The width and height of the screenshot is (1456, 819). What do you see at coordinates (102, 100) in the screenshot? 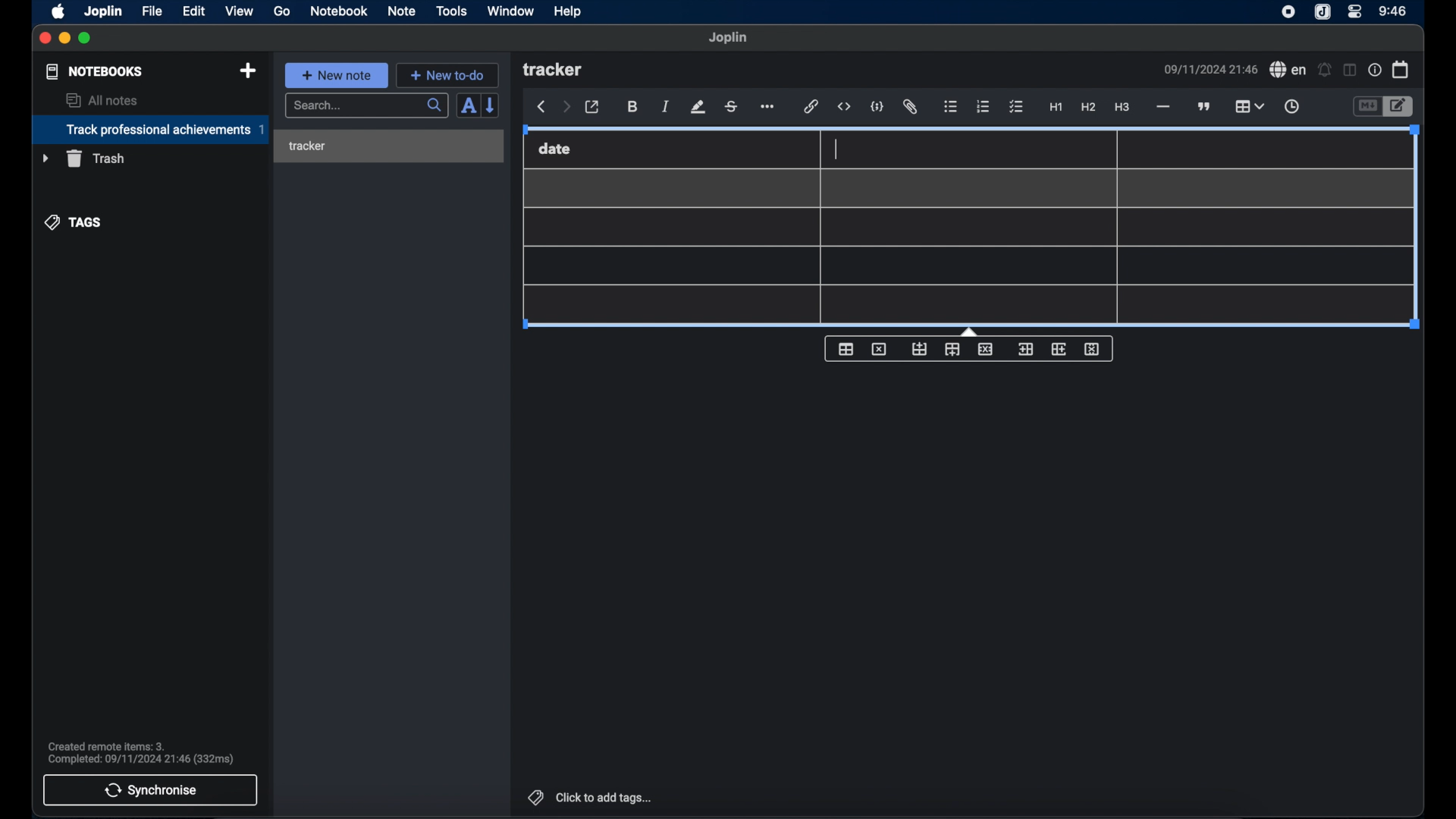
I see `all  notes` at bounding box center [102, 100].